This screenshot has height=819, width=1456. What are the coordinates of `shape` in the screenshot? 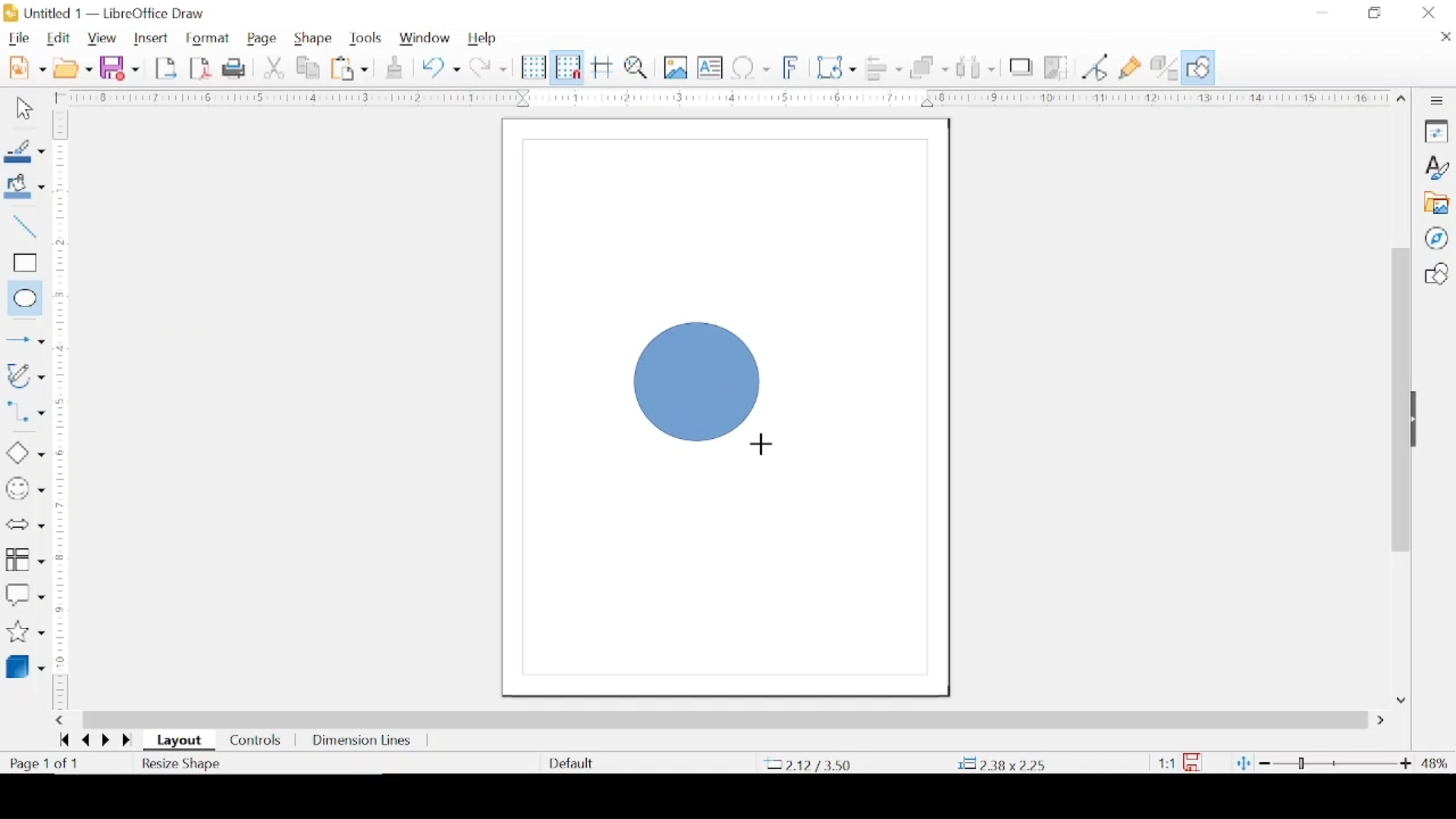 It's located at (315, 39).